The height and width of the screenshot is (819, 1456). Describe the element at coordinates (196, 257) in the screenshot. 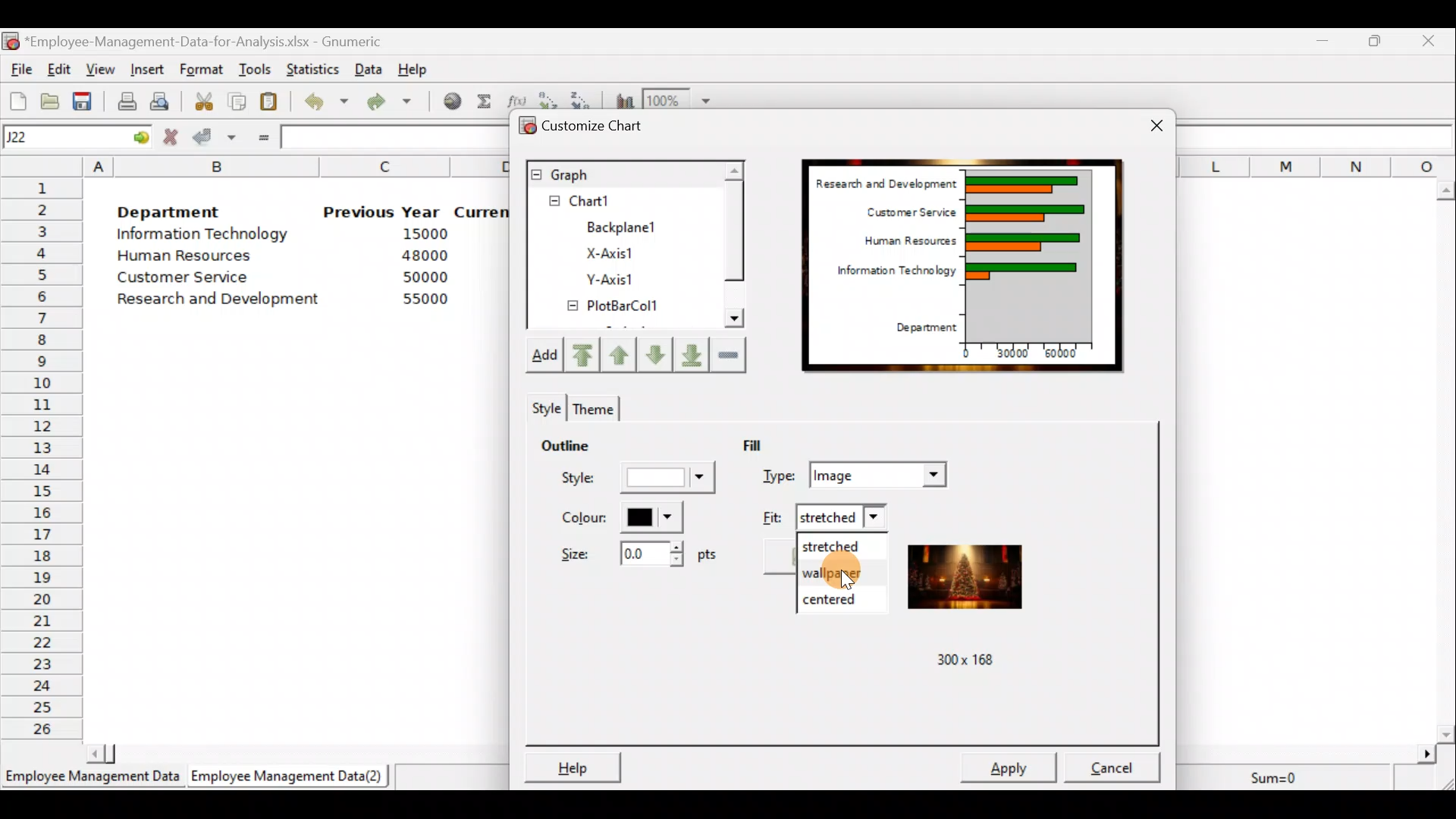

I see `Human Resources` at that location.